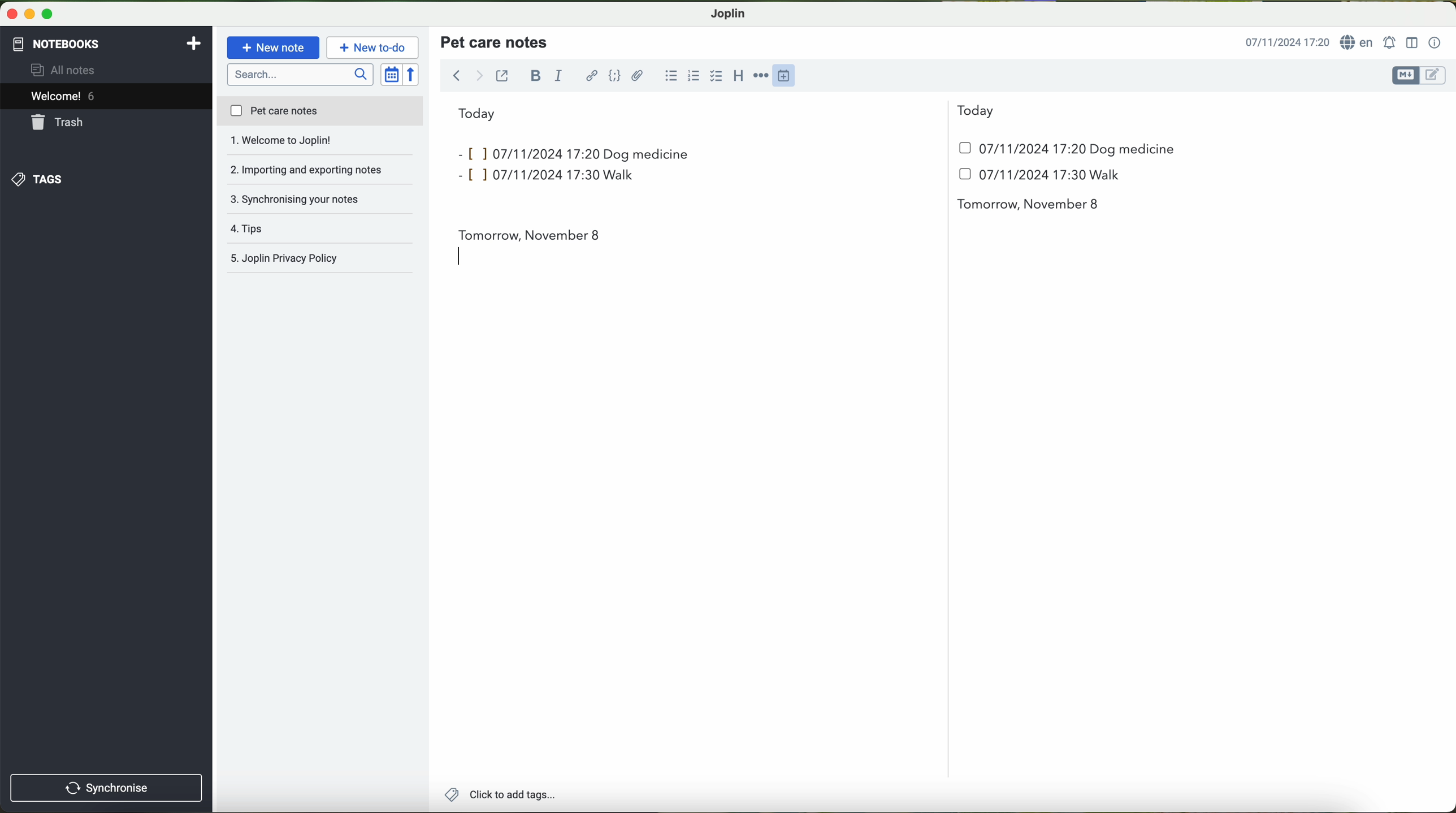 The width and height of the screenshot is (1456, 813). Describe the element at coordinates (320, 199) in the screenshot. I see `tips` at that location.